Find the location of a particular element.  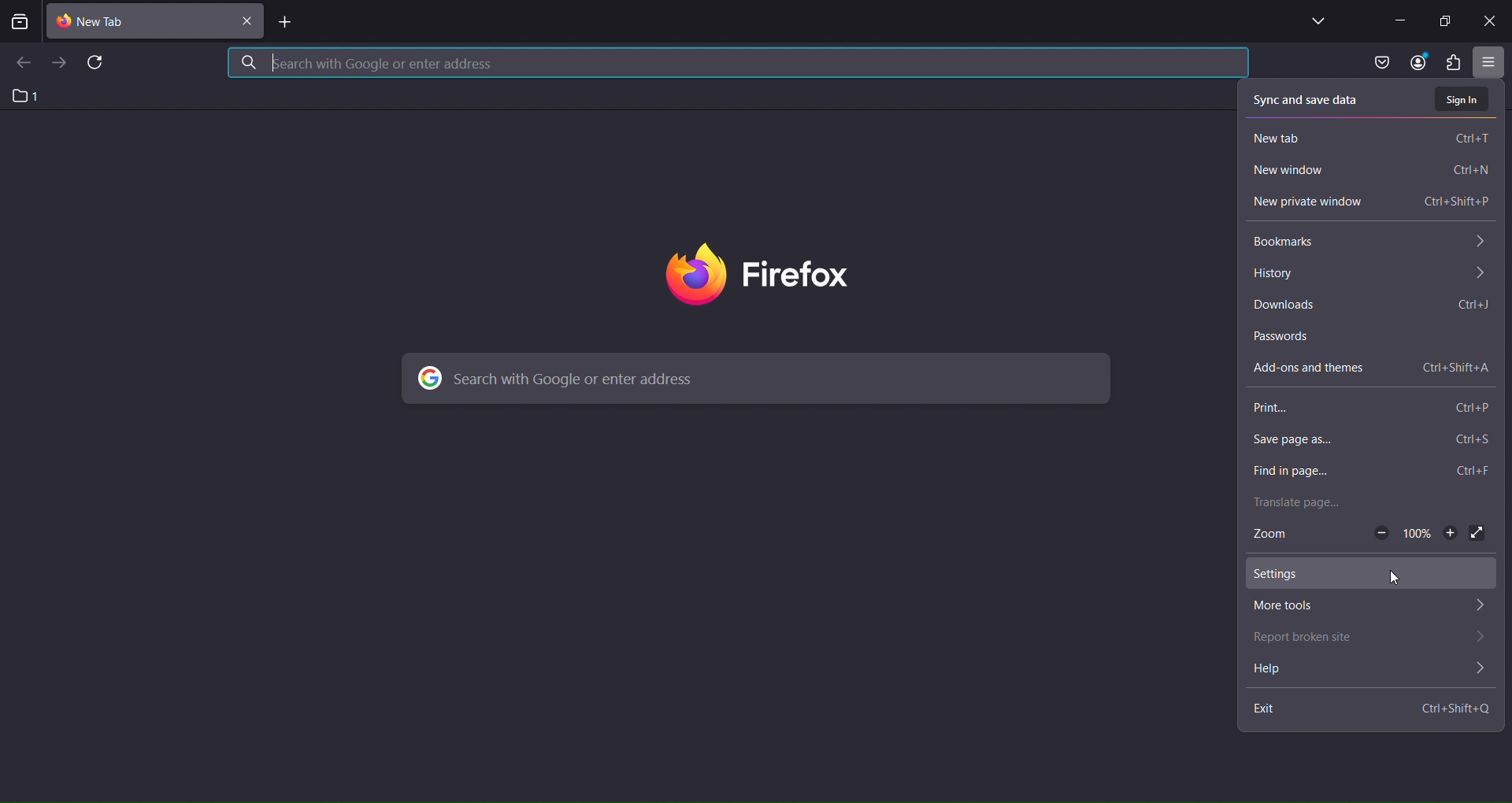

translate page is located at coordinates (1364, 505).